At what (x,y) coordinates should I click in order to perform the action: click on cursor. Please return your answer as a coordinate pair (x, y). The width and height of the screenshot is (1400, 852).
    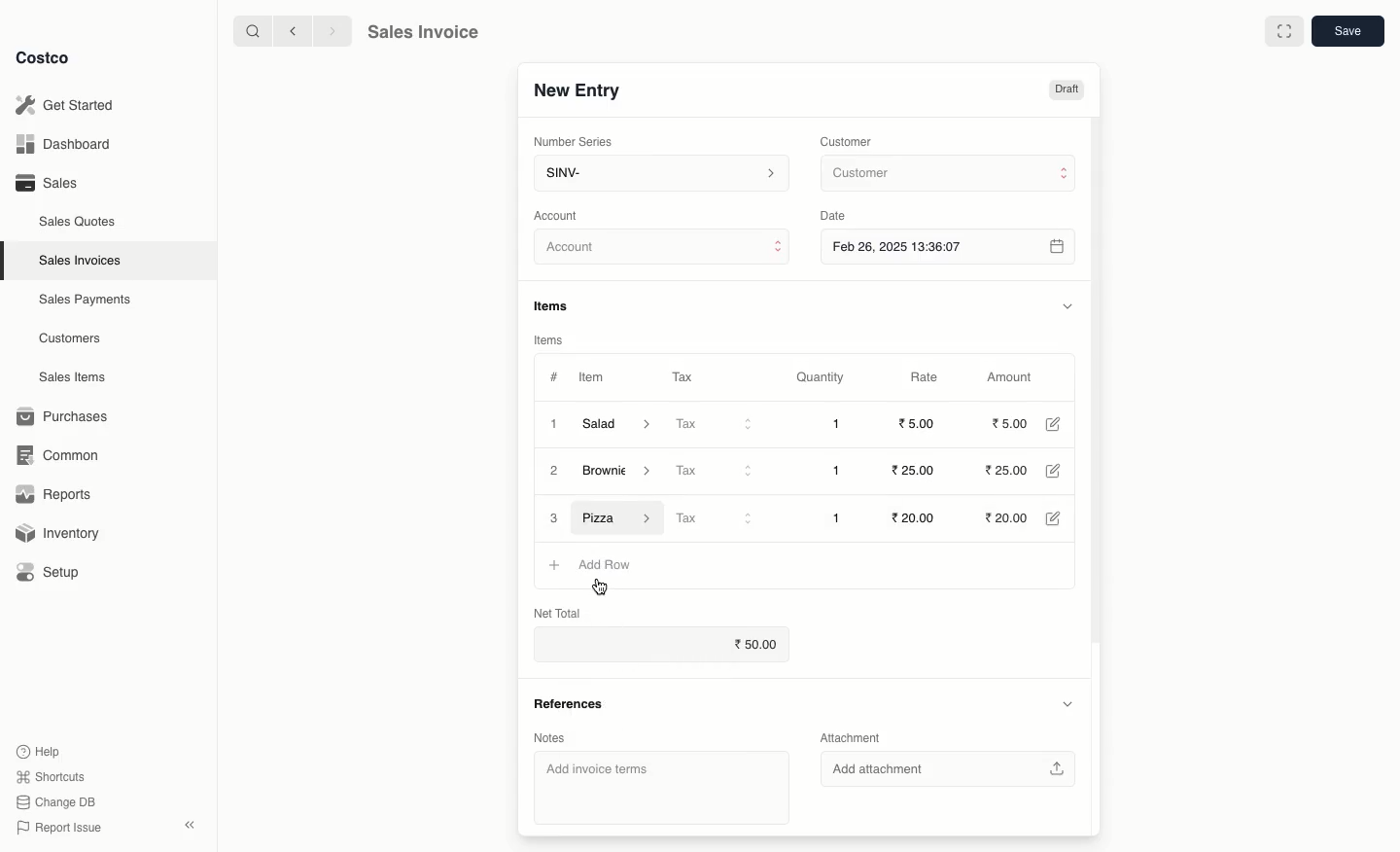
    Looking at the image, I should click on (602, 588).